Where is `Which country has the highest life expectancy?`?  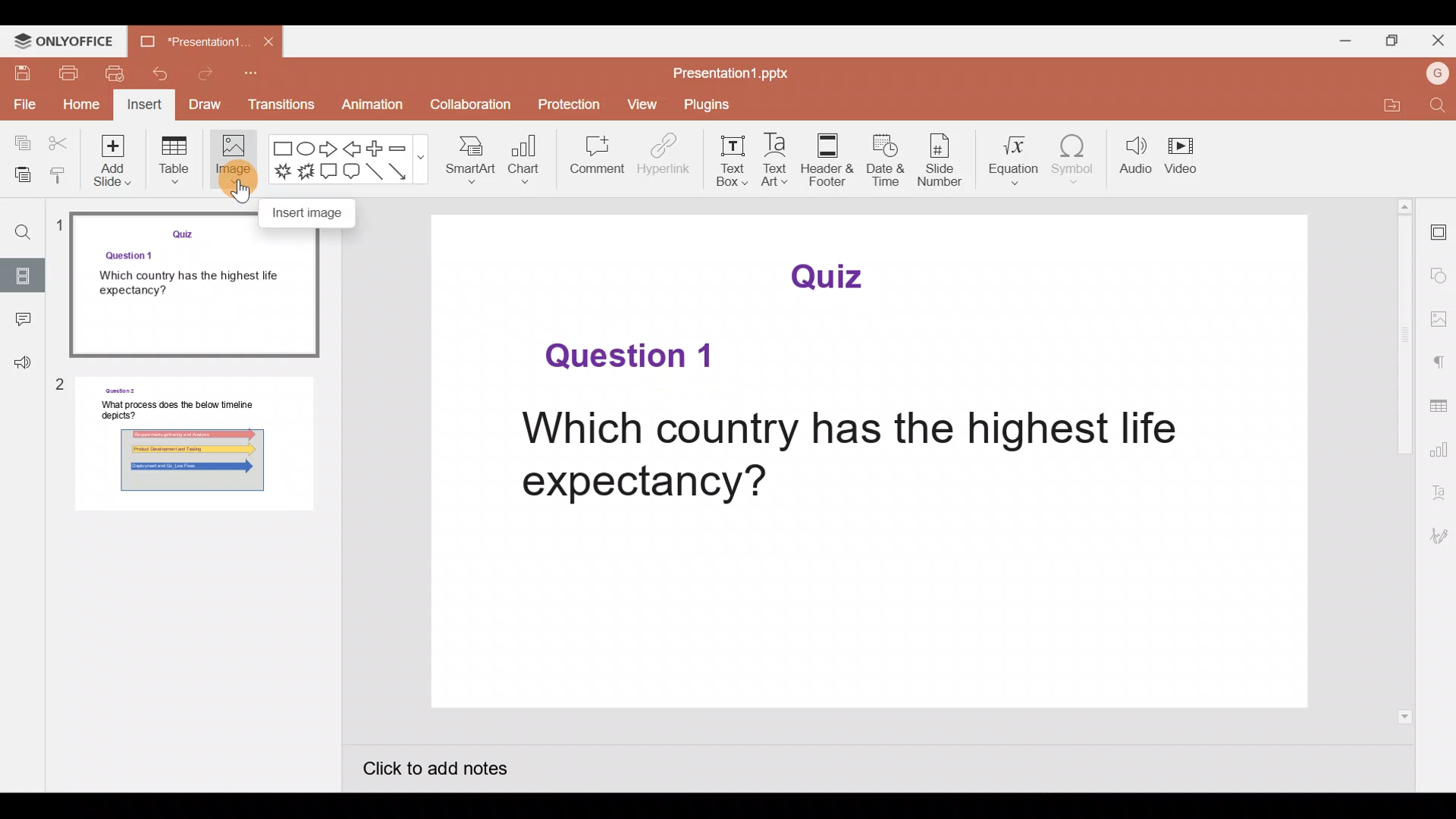
Which country has the highest life expectancy? is located at coordinates (846, 457).